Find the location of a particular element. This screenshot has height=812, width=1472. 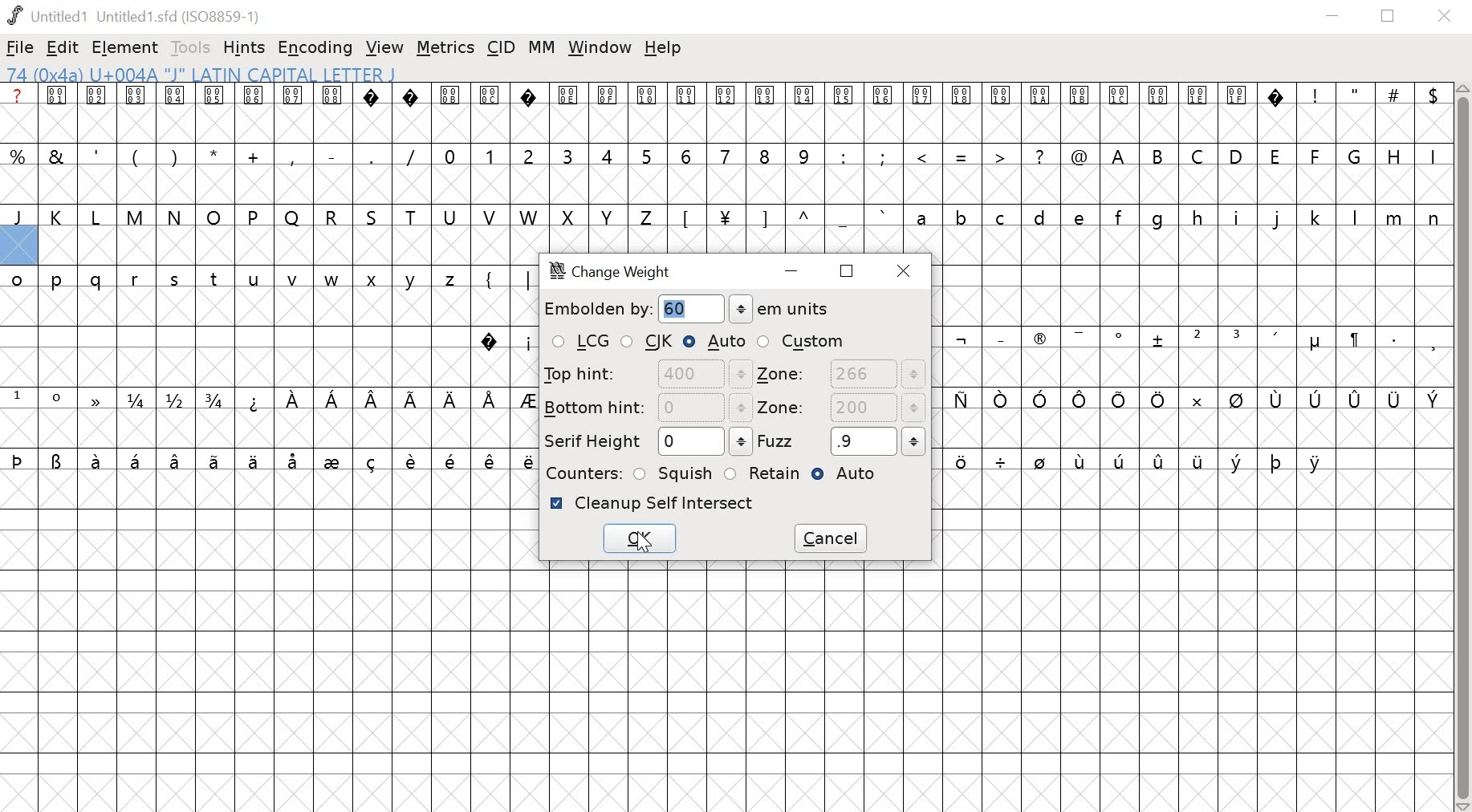

special characters is located at coordinates (1368, 95).